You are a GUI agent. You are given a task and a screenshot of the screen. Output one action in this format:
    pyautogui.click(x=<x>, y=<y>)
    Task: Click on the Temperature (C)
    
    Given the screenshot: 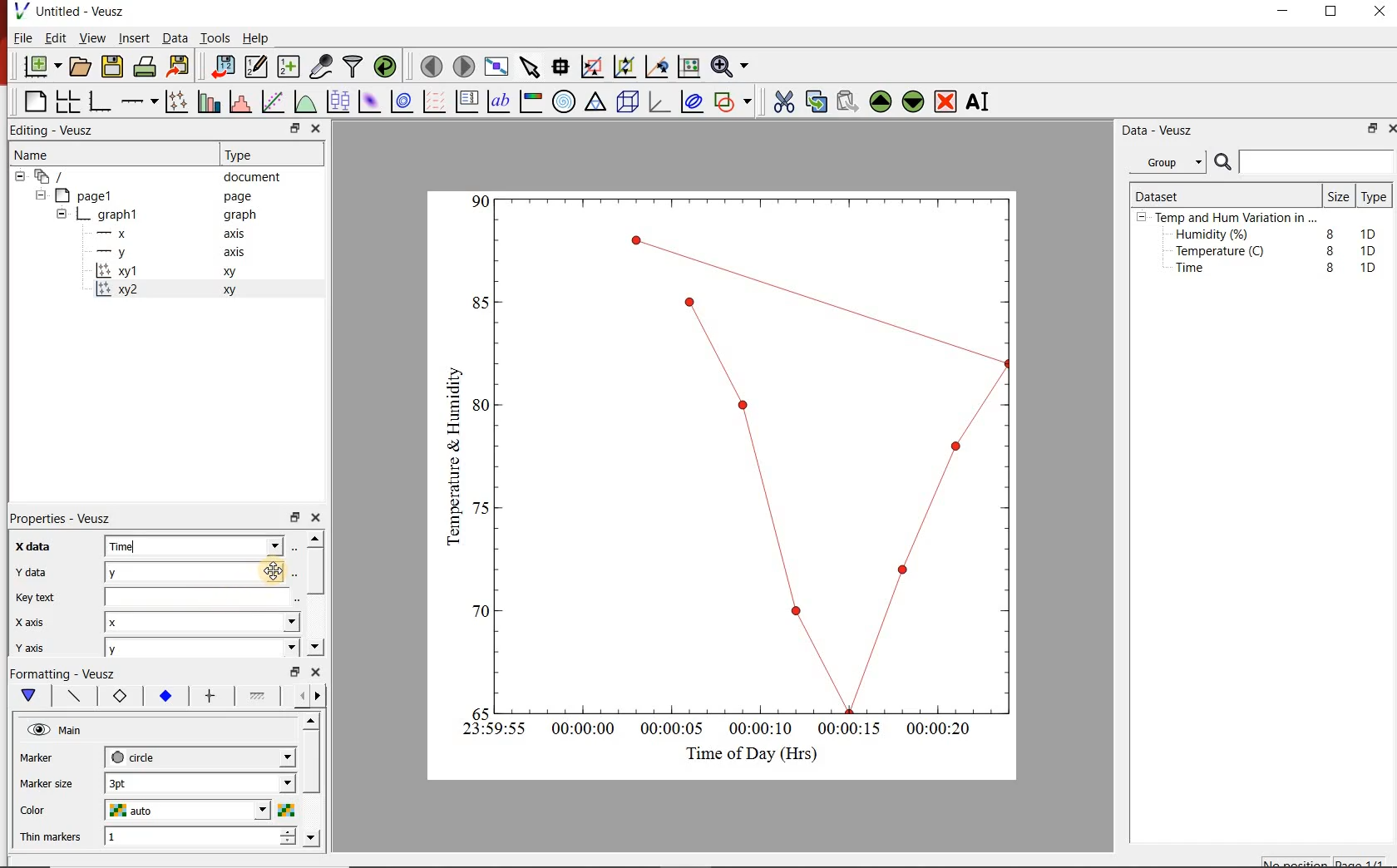 What is the action you would take?
    pyautogui.click(x=1223, y=253)
    